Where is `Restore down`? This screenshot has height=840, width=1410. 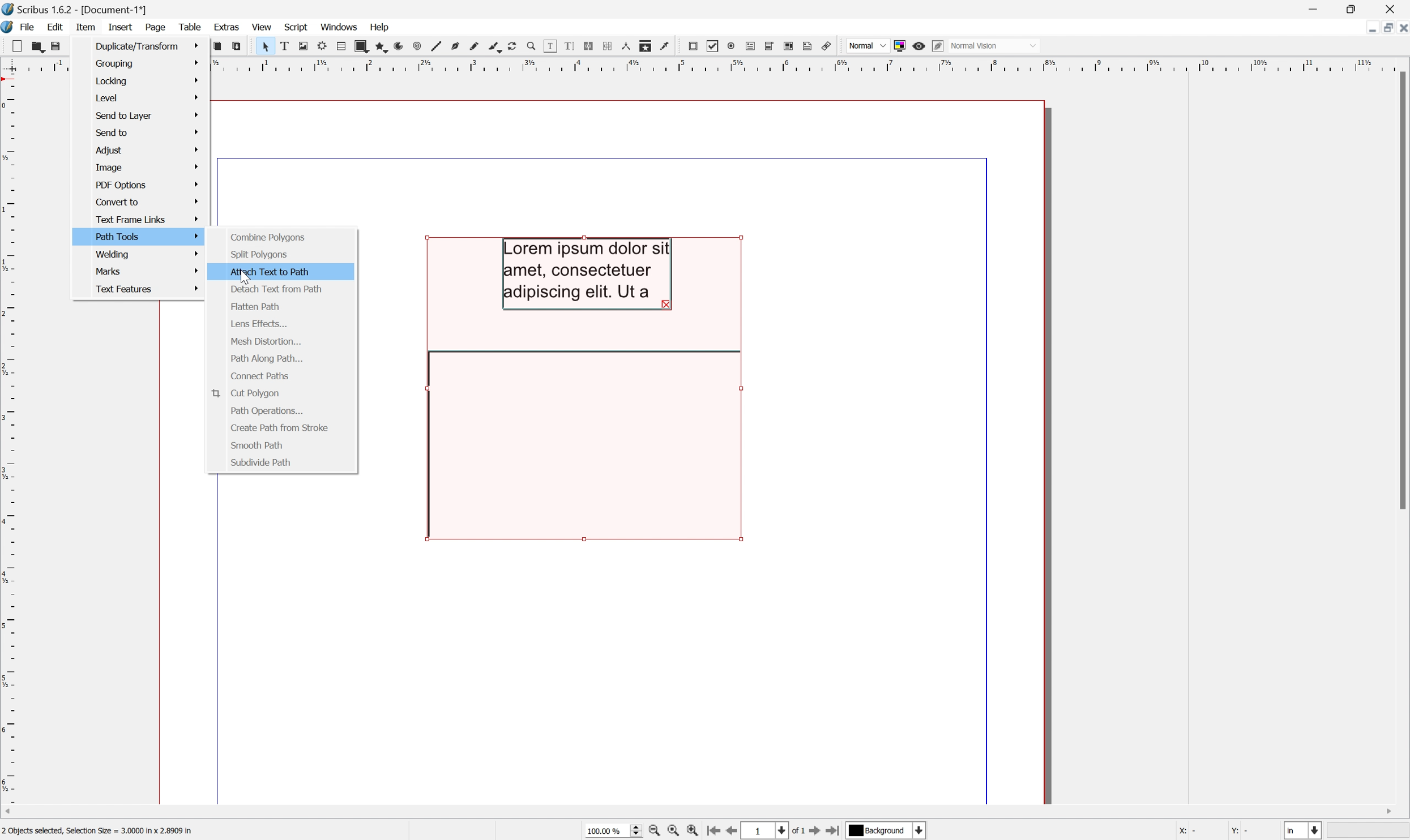 Restore down is located at coordinates (1383, 27).